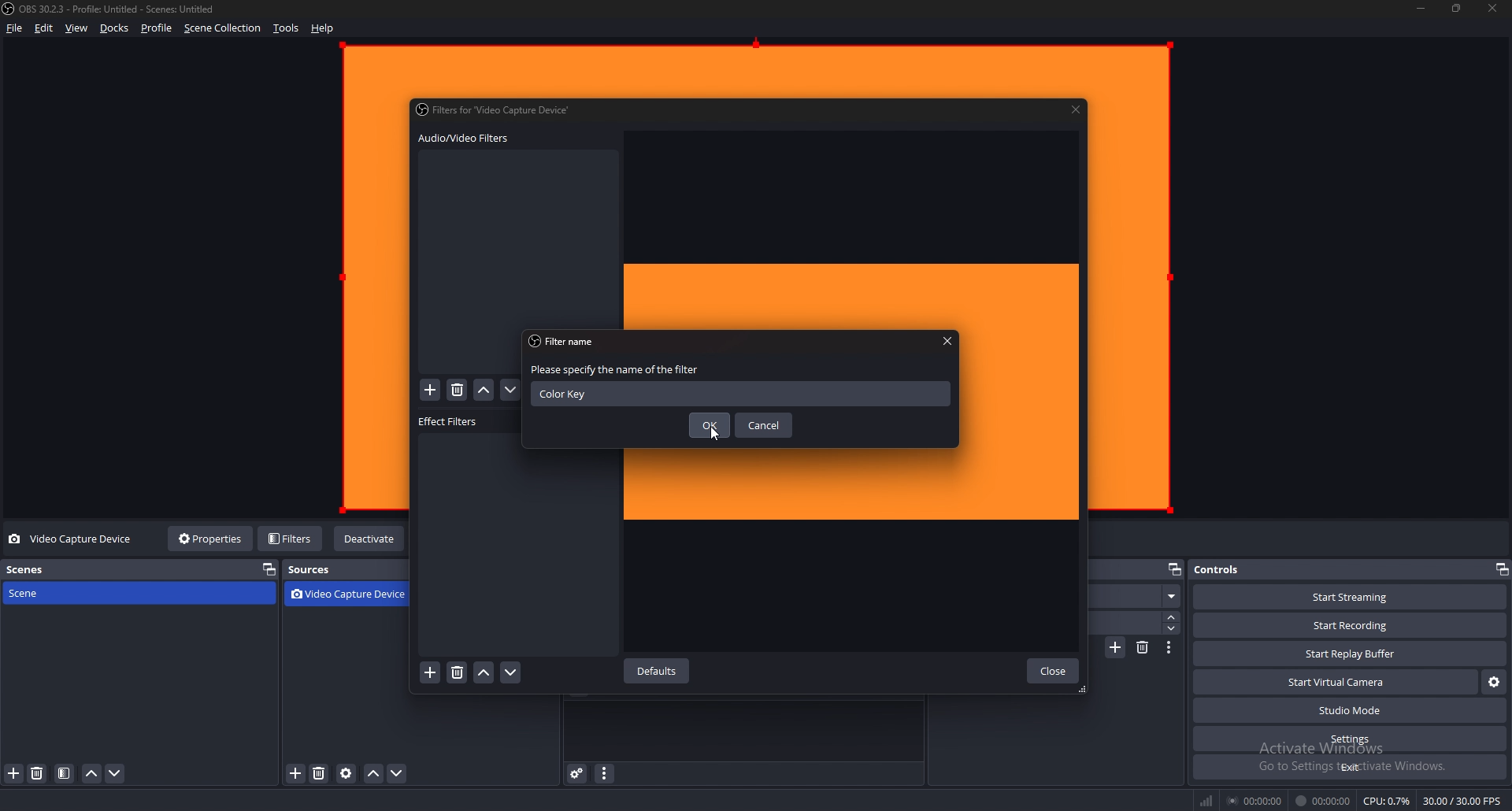 The image size is (1512, 811). What do you see at coordinates (619, 368) in the screenshot?
I see `specify name of filter` at bounding box center [619, 368].